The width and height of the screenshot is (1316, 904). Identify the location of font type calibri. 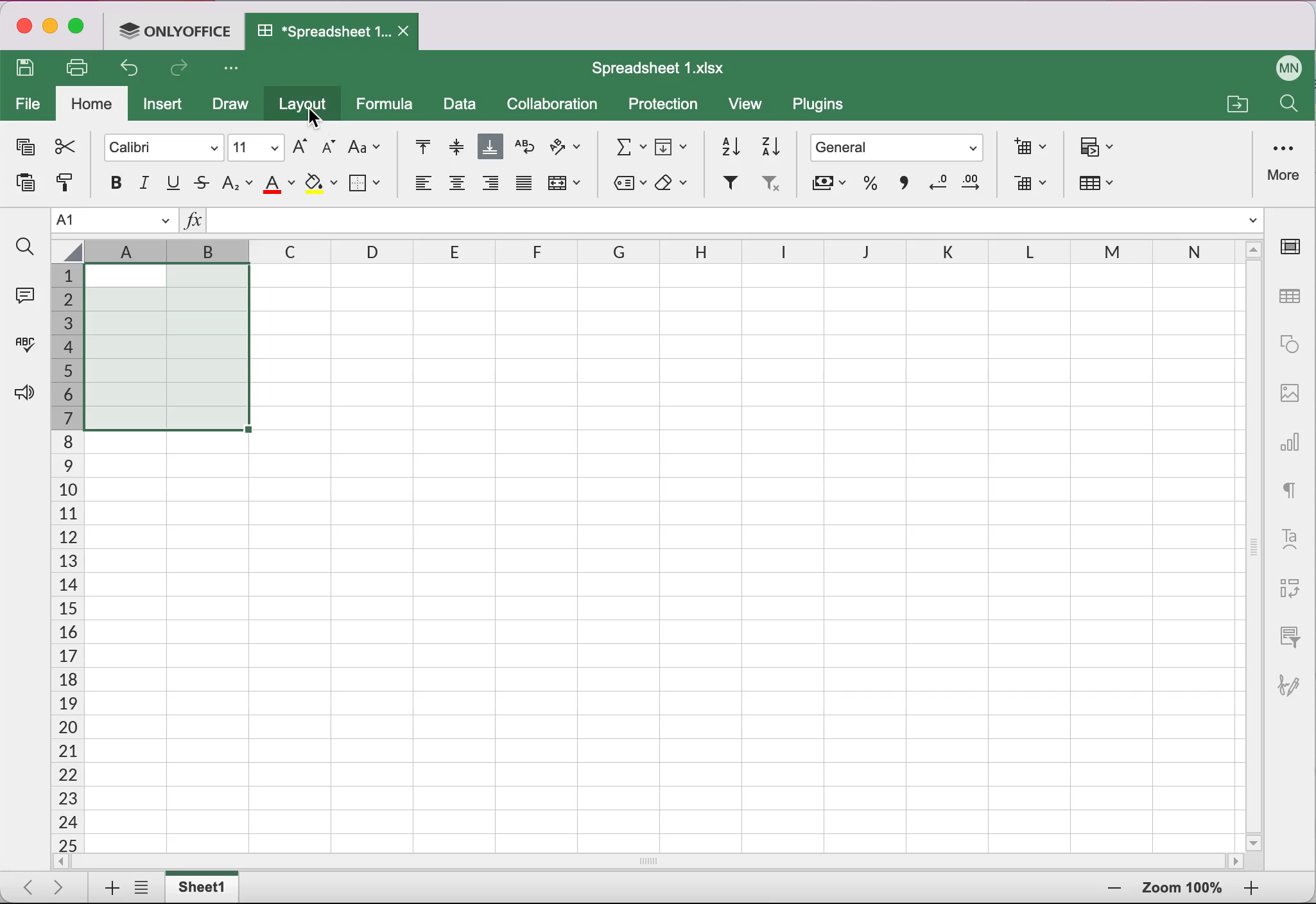
(157, 146).